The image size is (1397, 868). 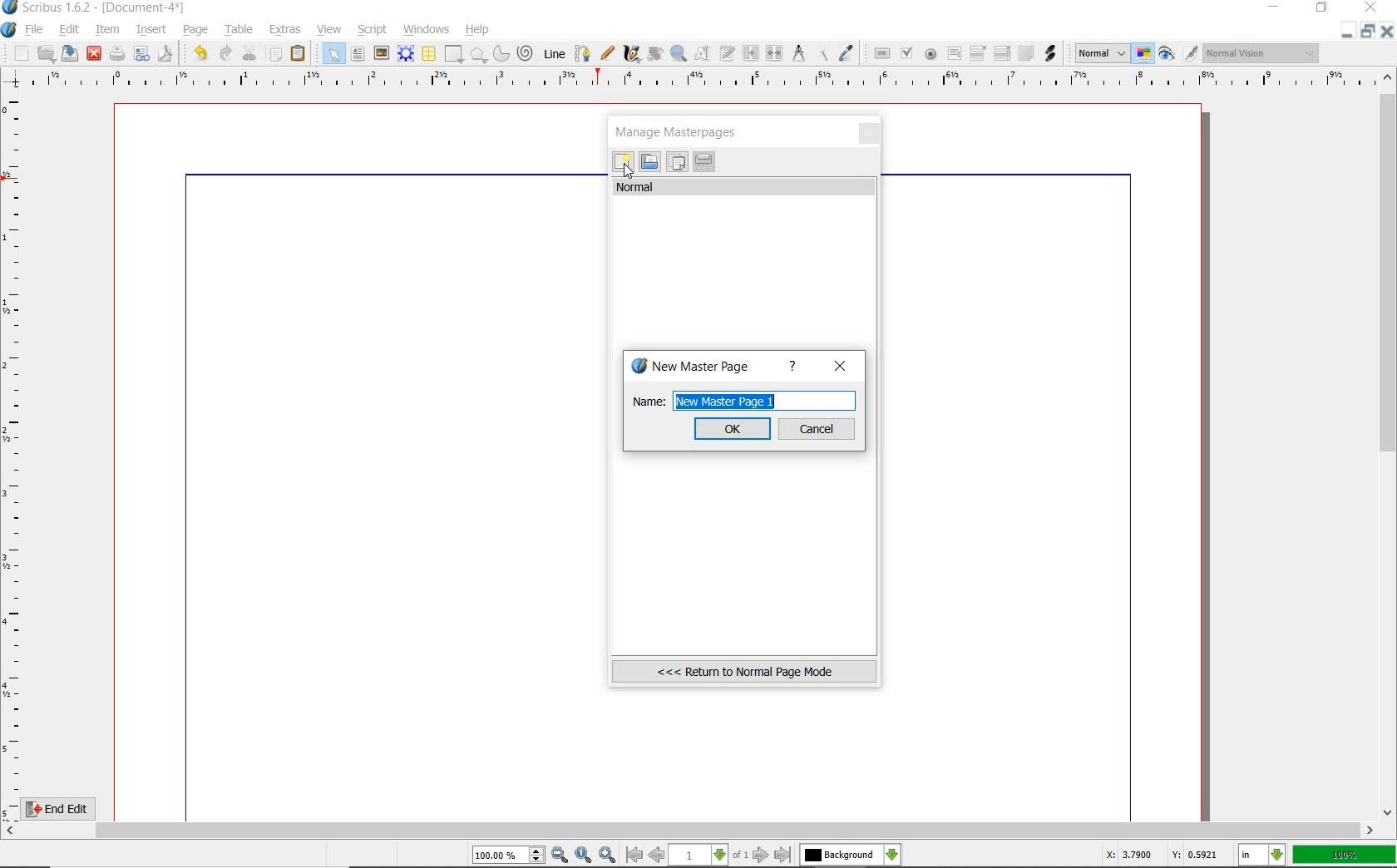 What do you see at coordinates (1050, 52) in the screenshot?
I see `link annotation` at bounding box center [1050, 52].